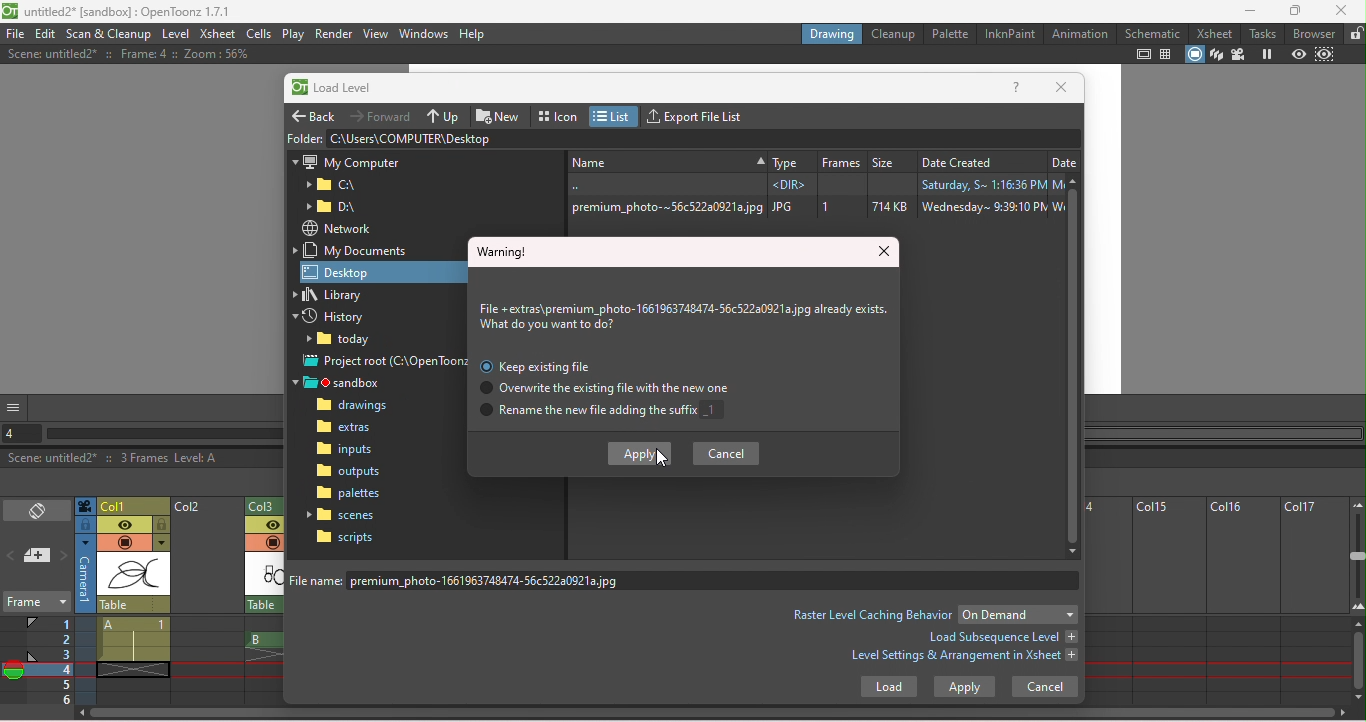 This screenshot has height=722, width=1366. What do you see at coordinates (363, 271) in the screenshot?
I see `Desktop` at bounding box center [363, 271].